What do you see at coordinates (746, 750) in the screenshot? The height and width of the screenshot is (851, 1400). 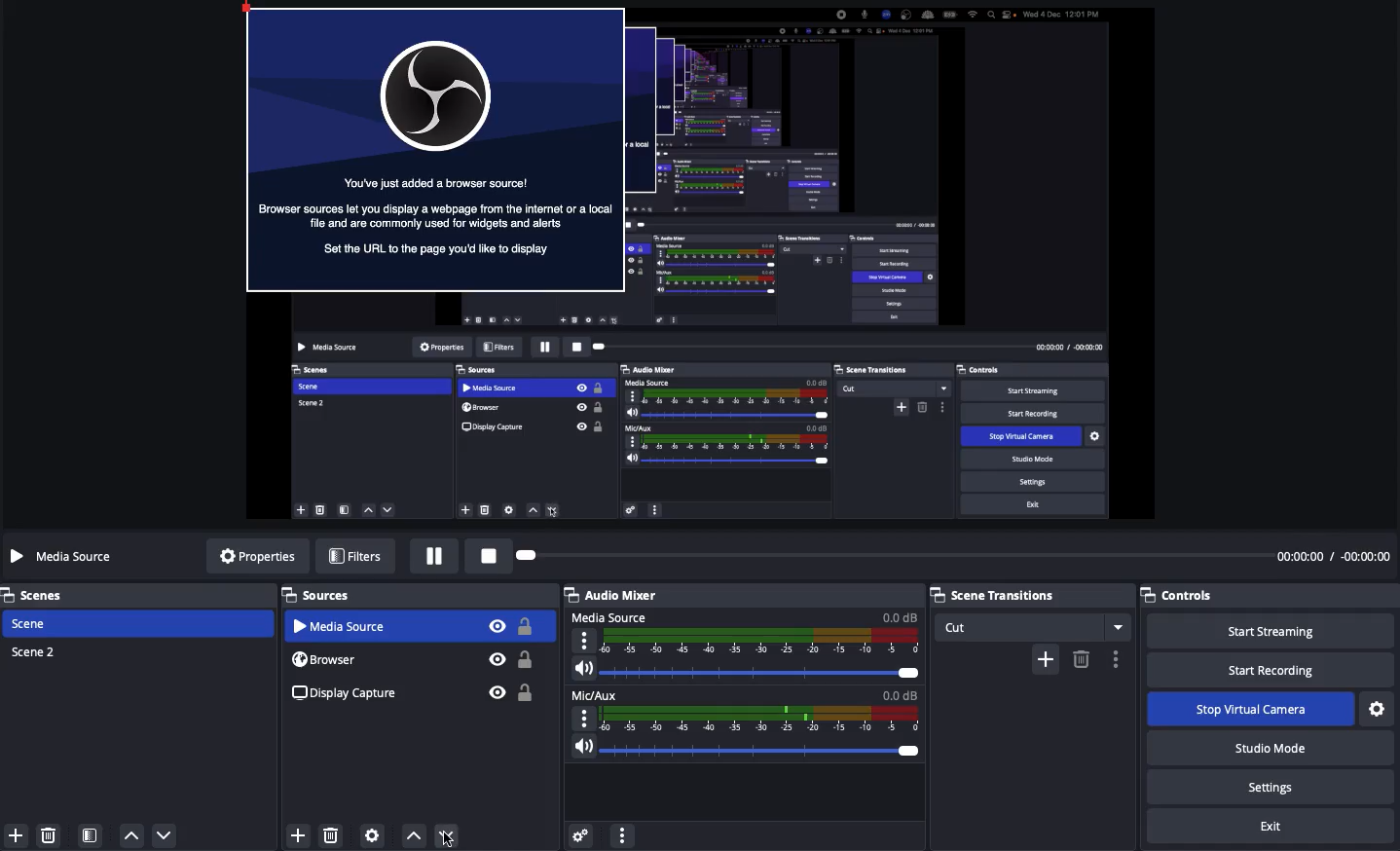 I see `Volume` at bounding box center [746, 750].